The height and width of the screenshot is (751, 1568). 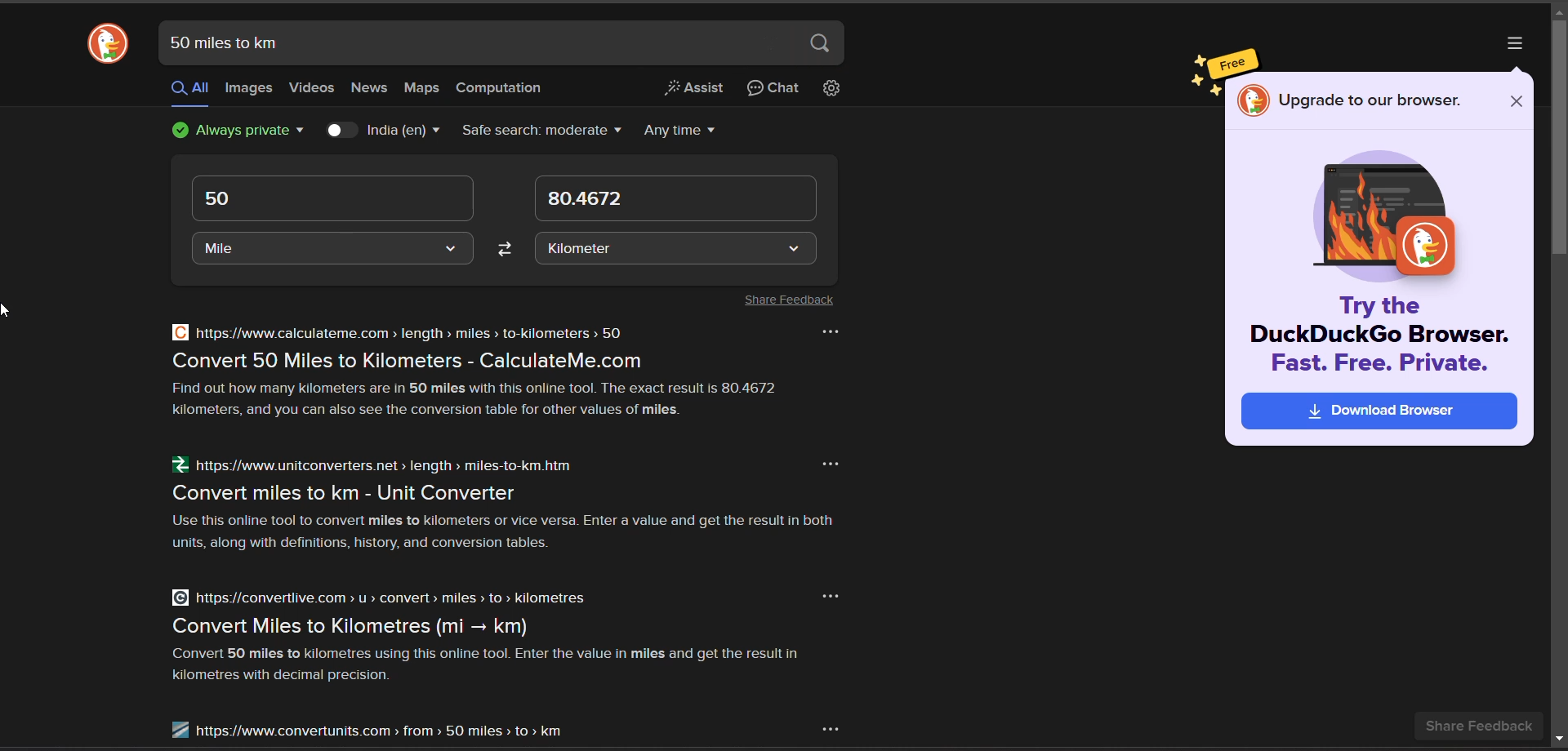 What do you see at coordinates (1383, 411) in the screenshot?
I see `download browser` at bounding box center [1383, 411].